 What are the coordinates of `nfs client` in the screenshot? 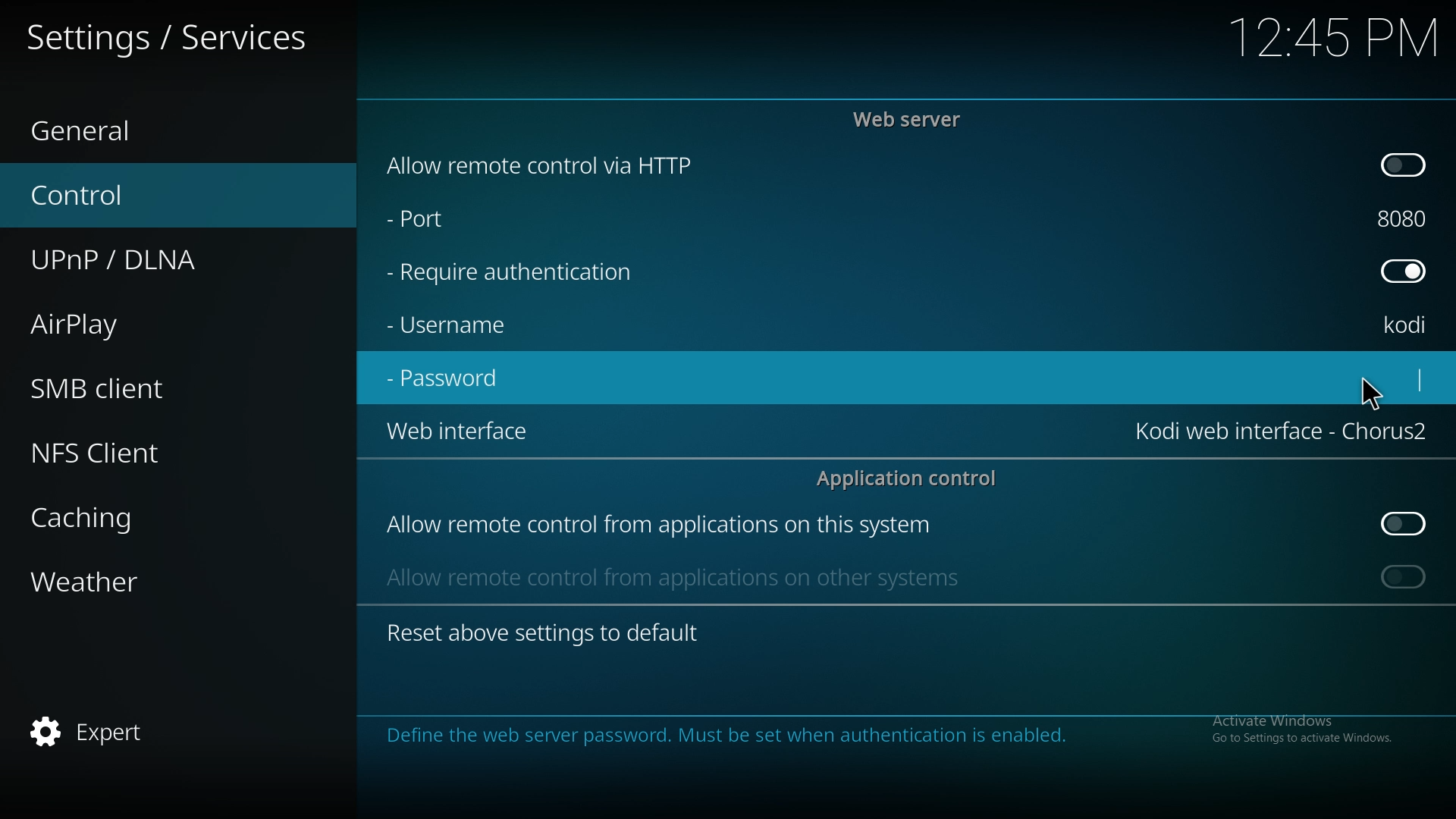 It's located at (124, 453).